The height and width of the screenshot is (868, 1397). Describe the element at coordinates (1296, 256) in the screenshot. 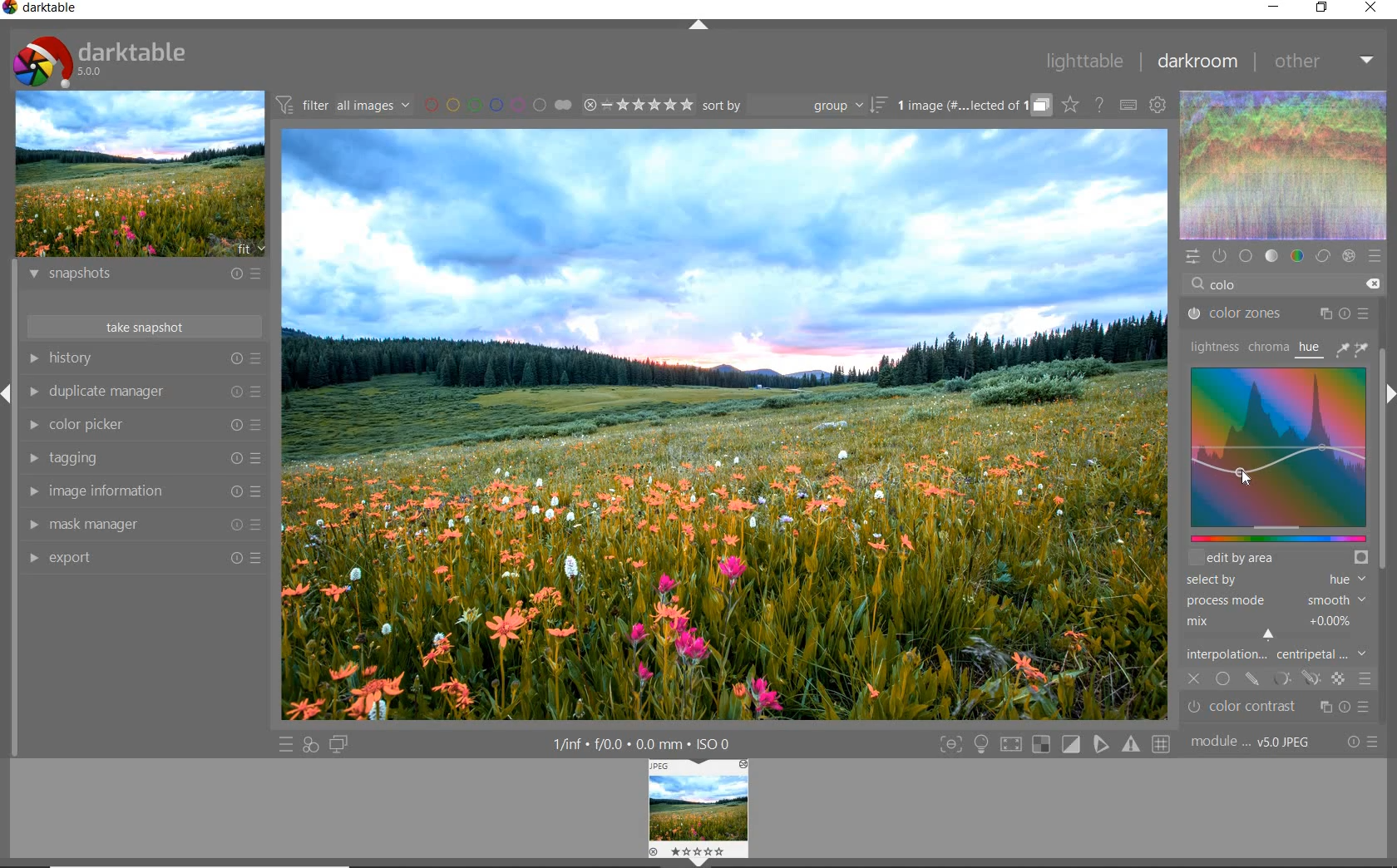

I see `color` at that location.